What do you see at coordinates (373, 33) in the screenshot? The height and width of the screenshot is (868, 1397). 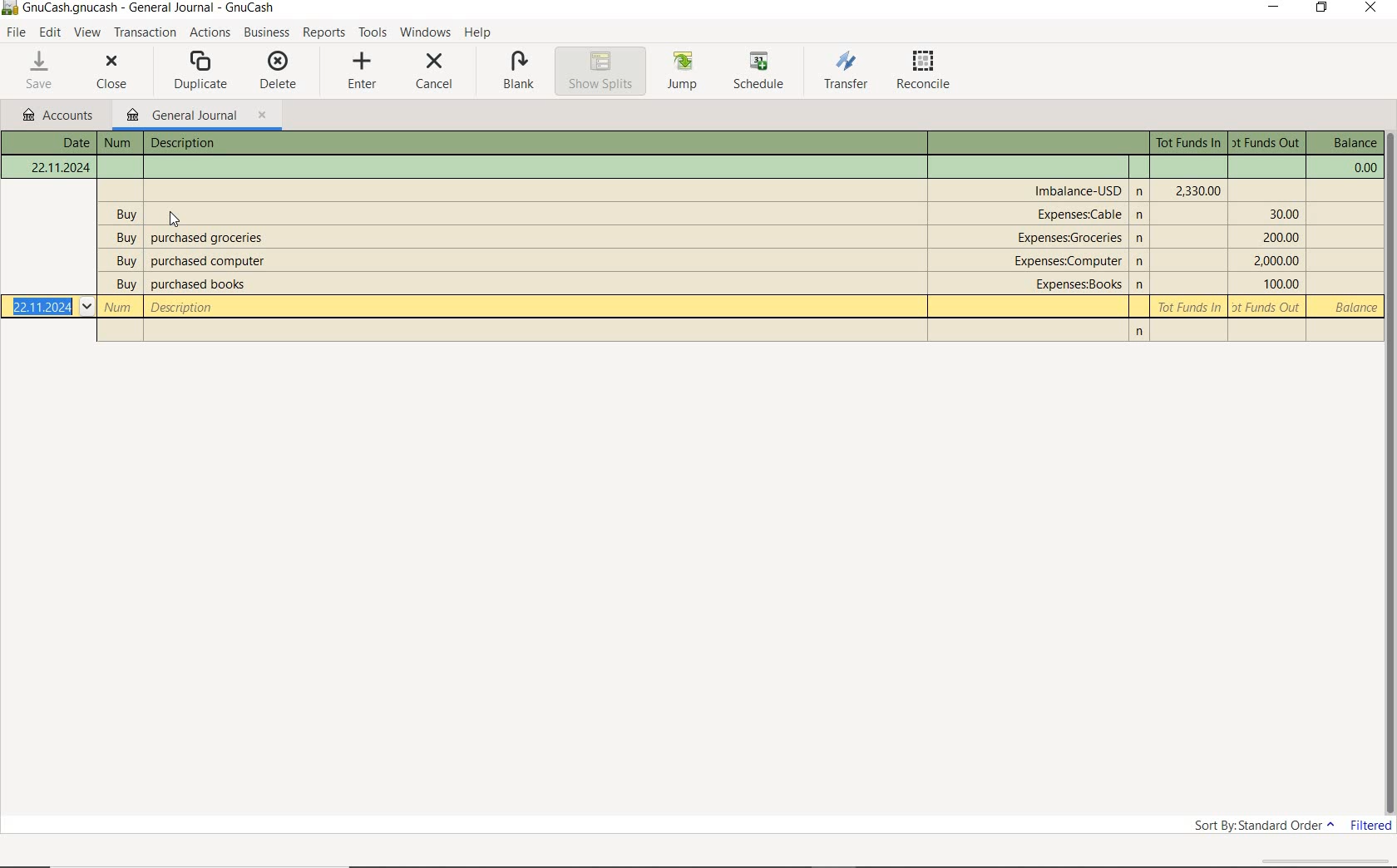 I see `TOOLS` at bounding box center [373, 33].